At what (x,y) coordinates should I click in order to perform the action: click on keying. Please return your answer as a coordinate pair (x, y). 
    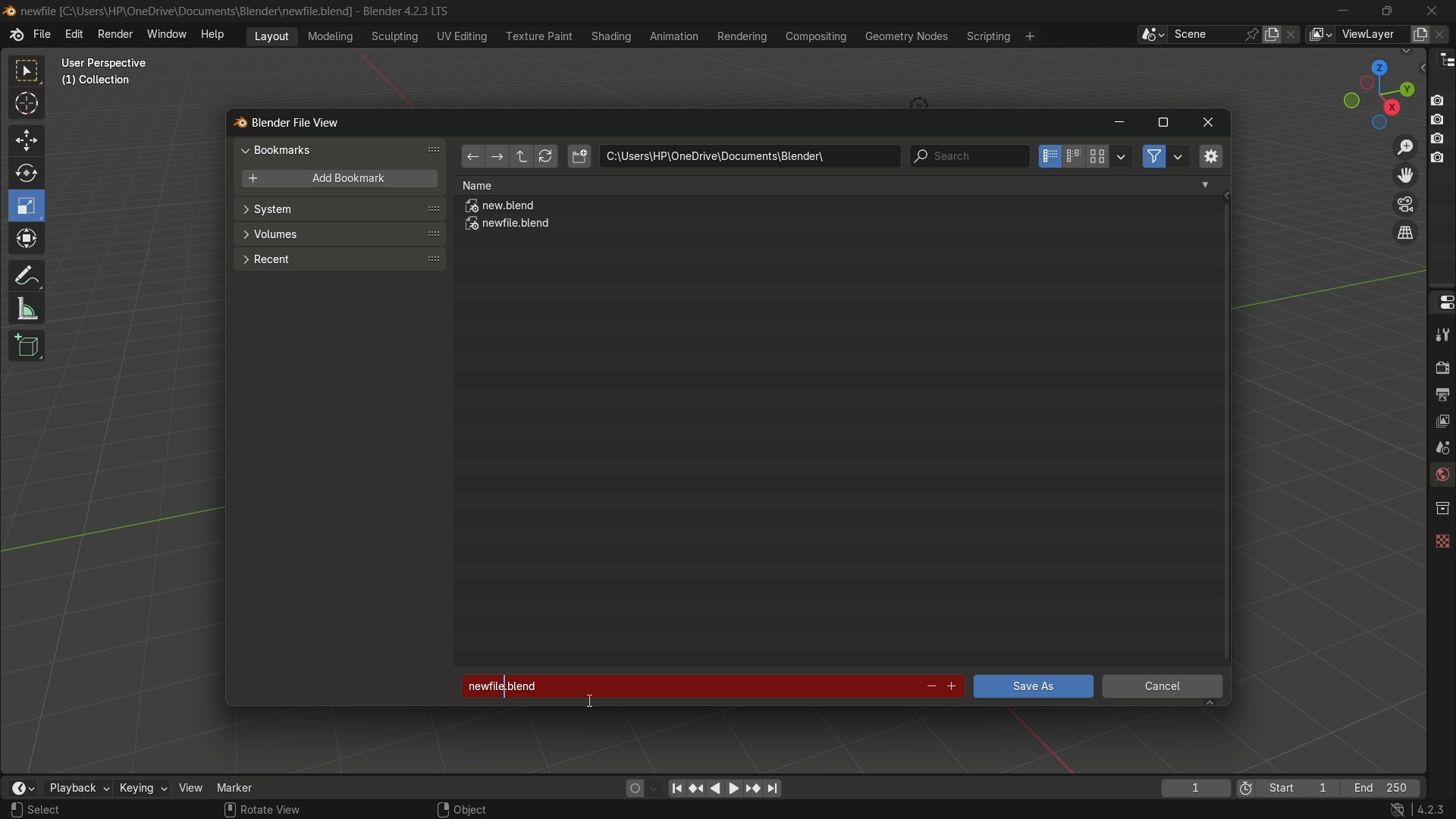
    Looking at the image, I should click on (142, 789).